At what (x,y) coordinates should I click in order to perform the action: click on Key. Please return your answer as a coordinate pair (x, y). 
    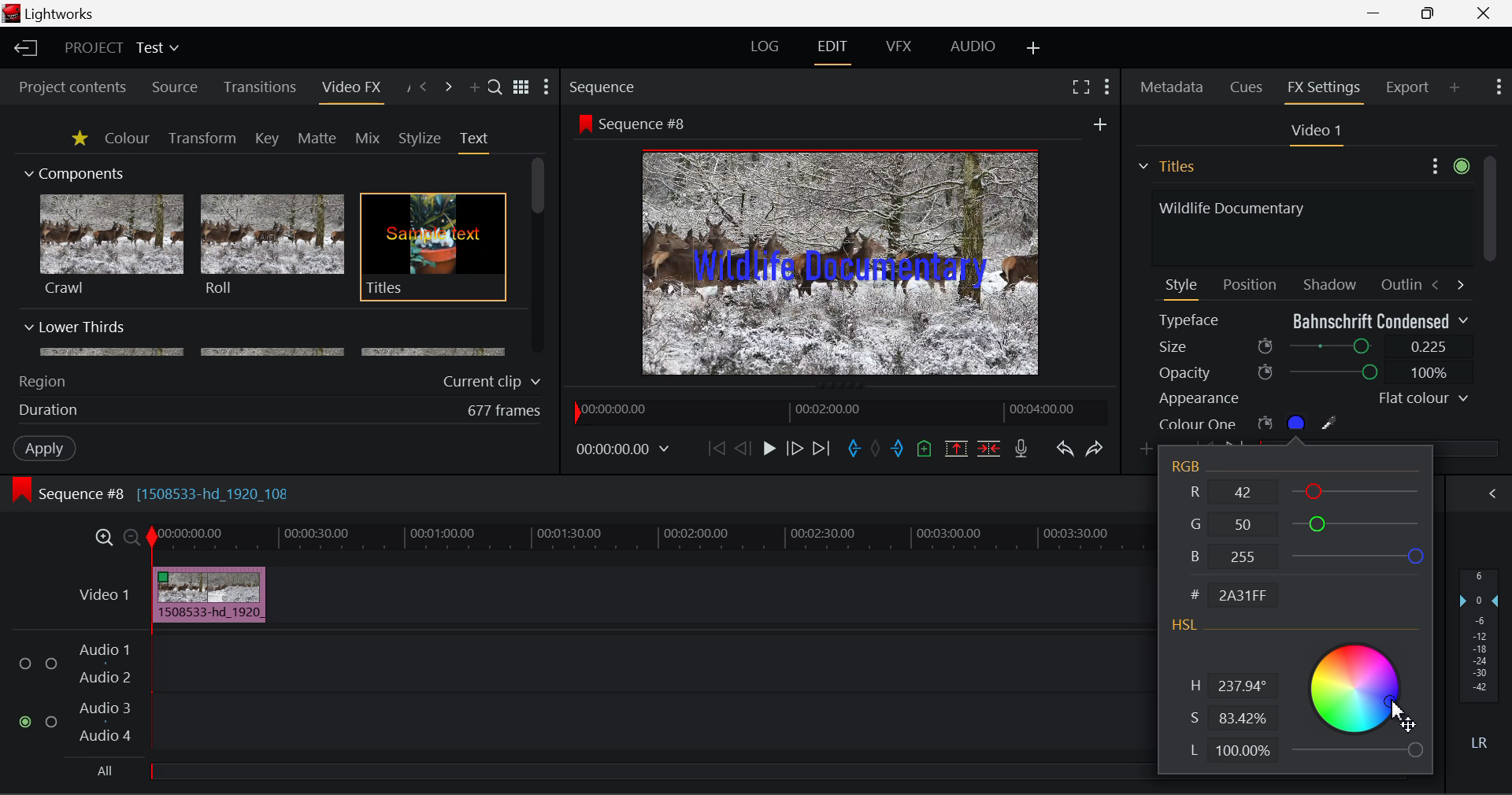
    Looking at the image, I should click on (269, 139).